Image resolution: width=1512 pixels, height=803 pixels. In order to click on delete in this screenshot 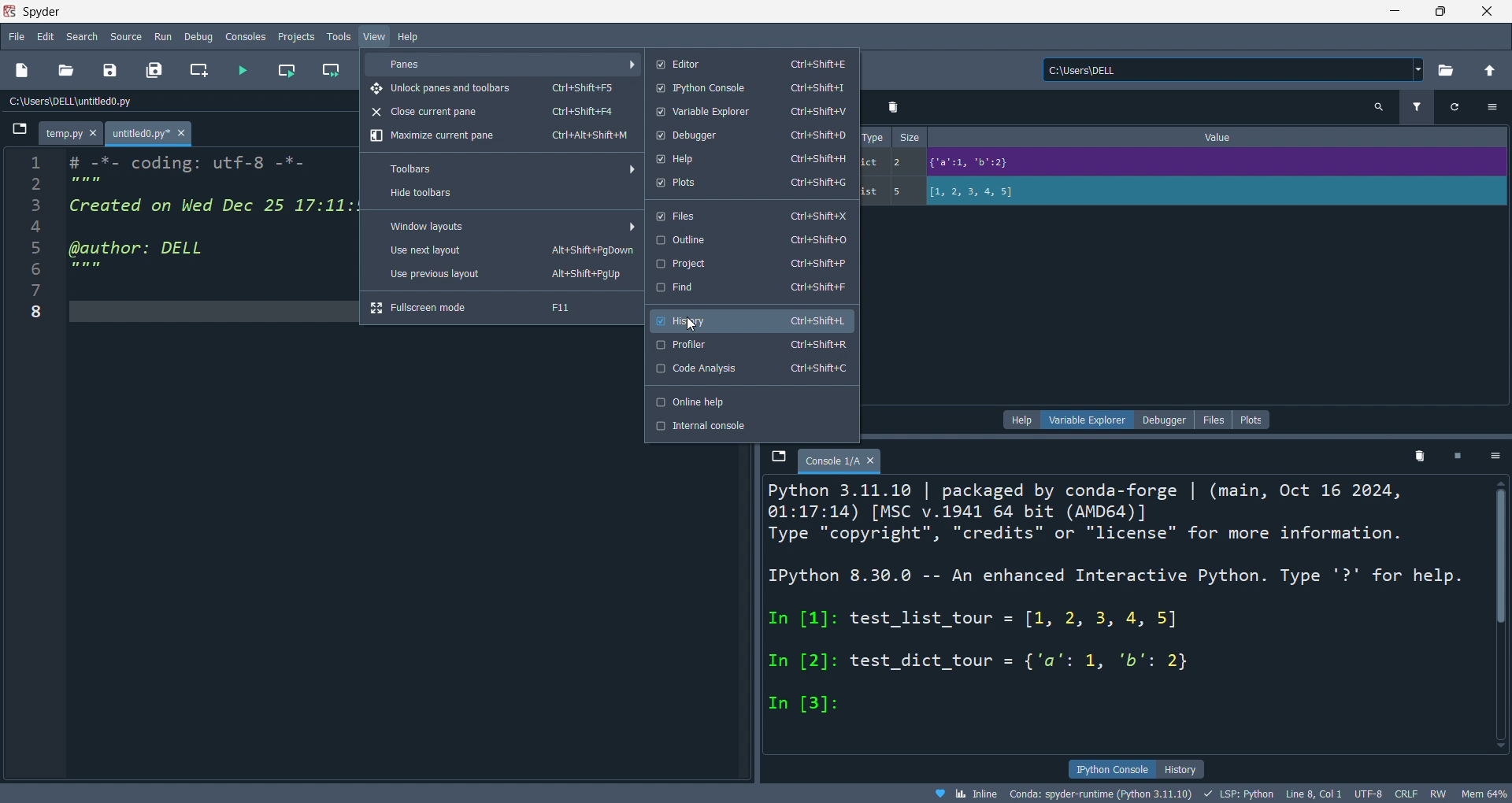, I will do `click(895, 107)`.